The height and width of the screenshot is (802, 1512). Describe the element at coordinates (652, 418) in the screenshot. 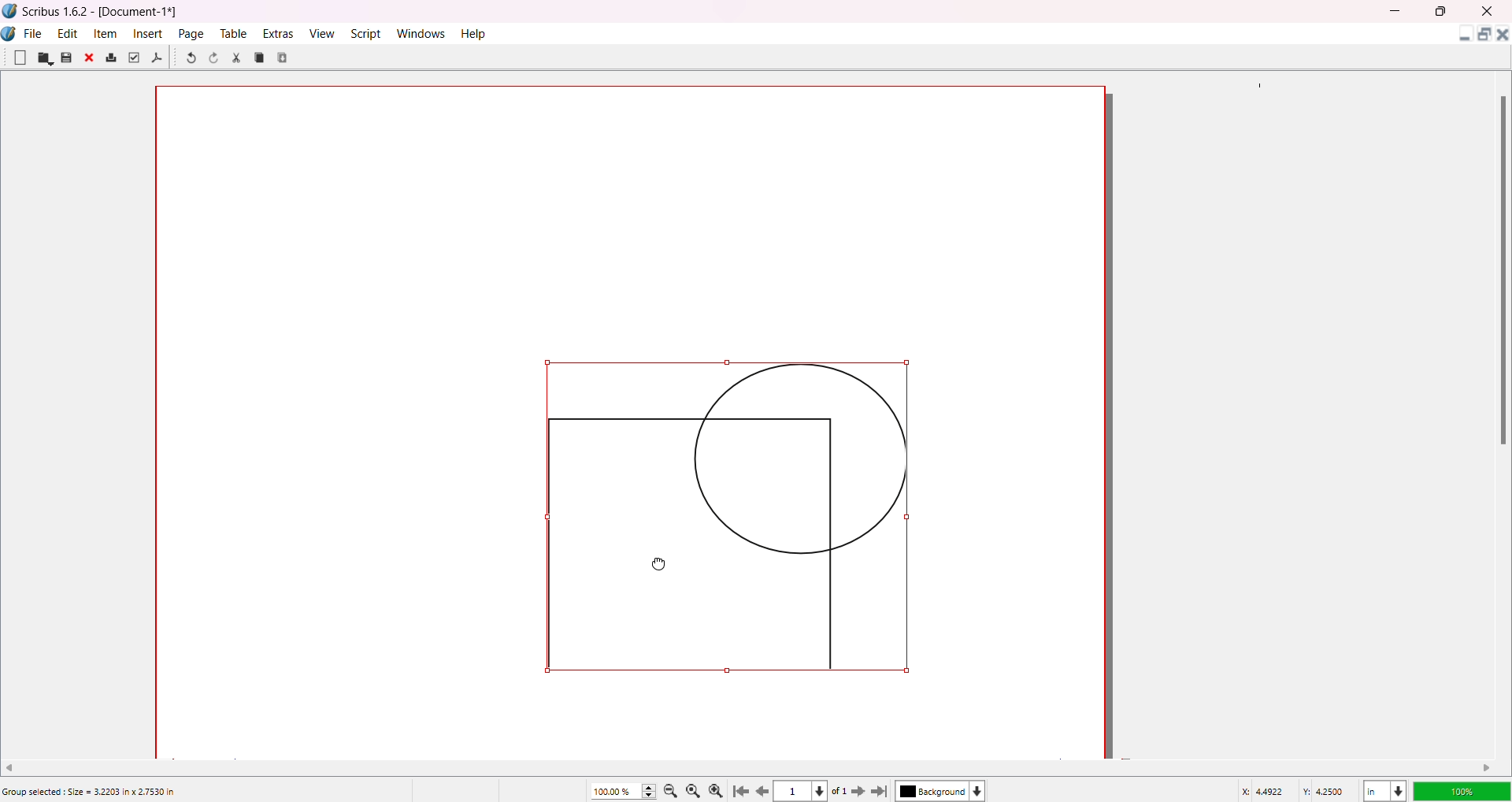

I see `Canvas` at that location.